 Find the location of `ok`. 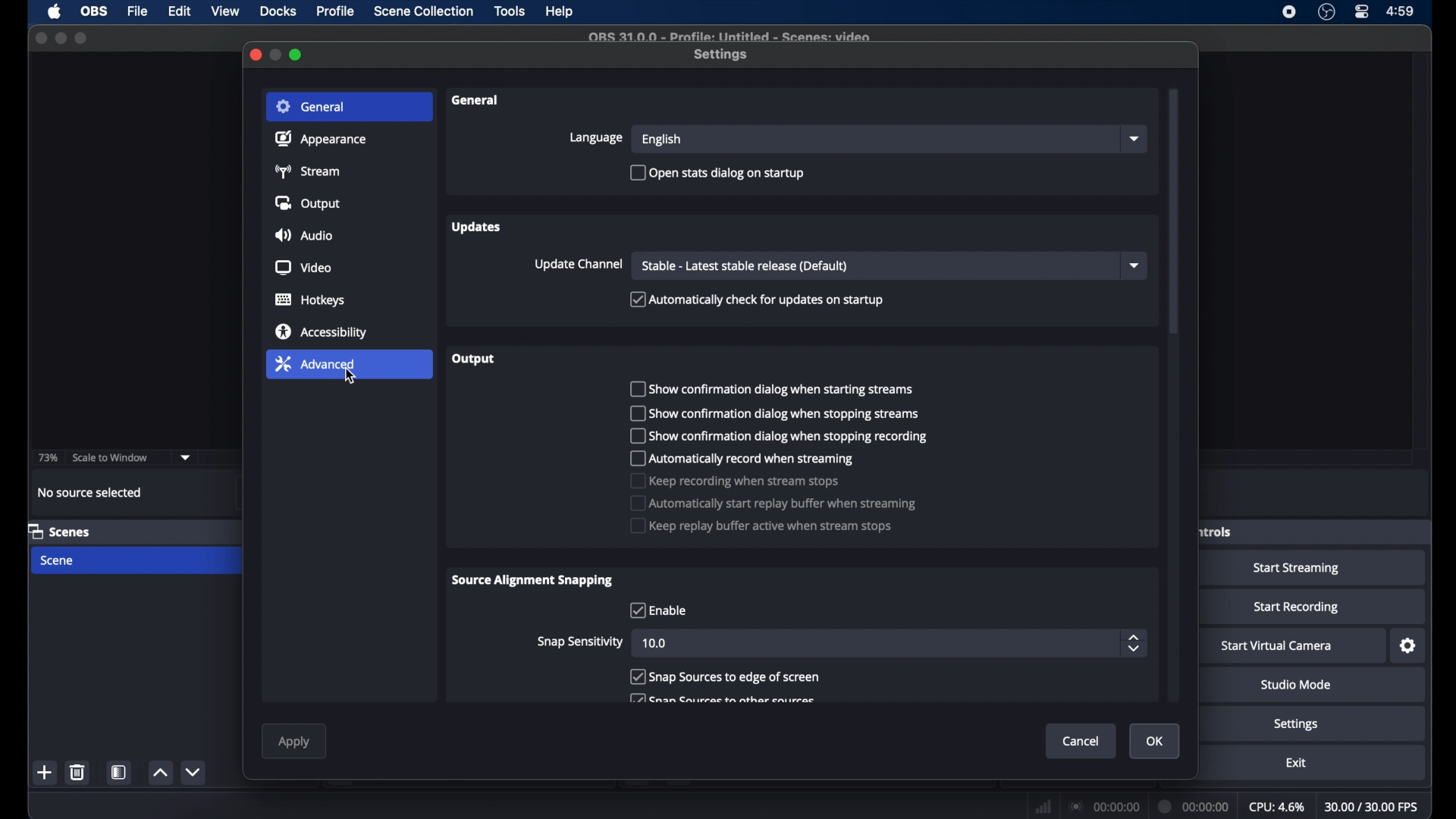

ok is located at coordinates (1156, 742).